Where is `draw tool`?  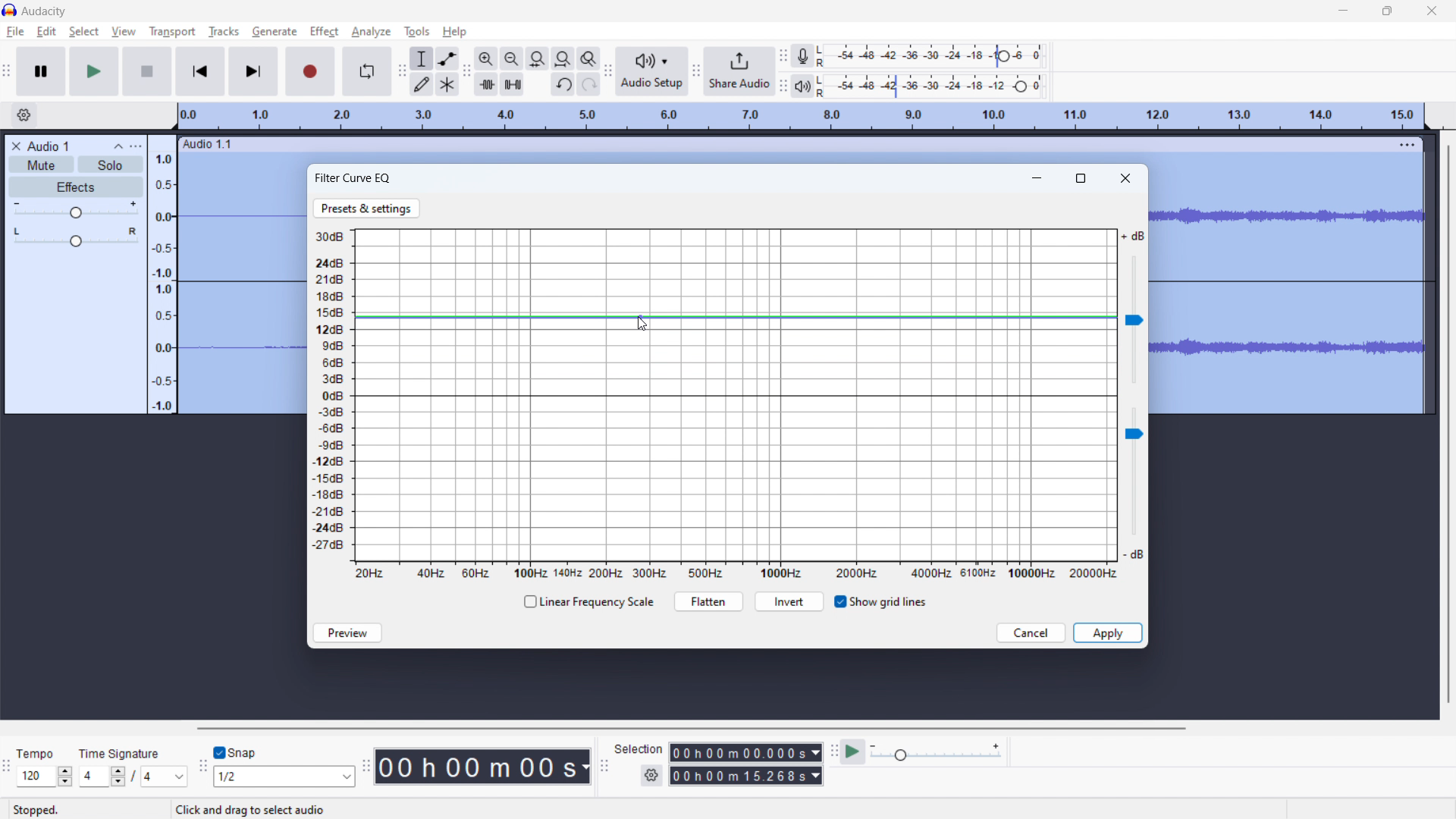 draw tool is located at coordinates (422, 83).